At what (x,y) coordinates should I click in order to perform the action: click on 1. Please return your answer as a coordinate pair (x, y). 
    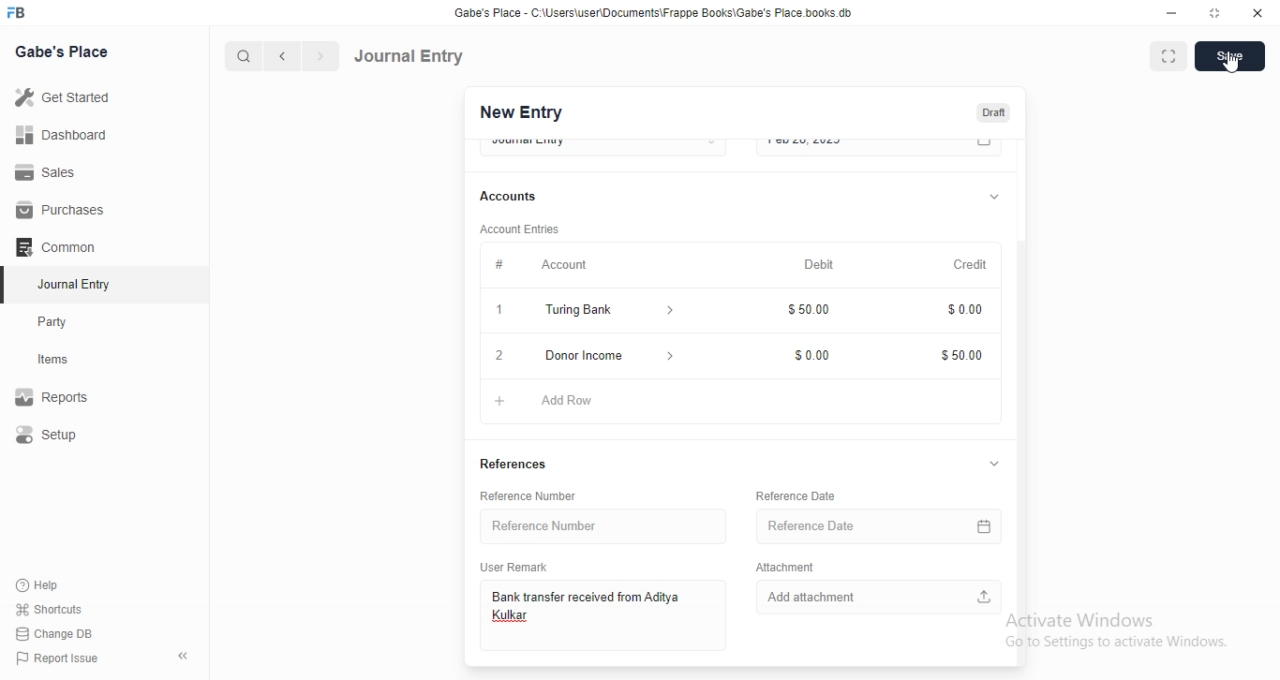
    Looking at the image, I should click on (502, 312).